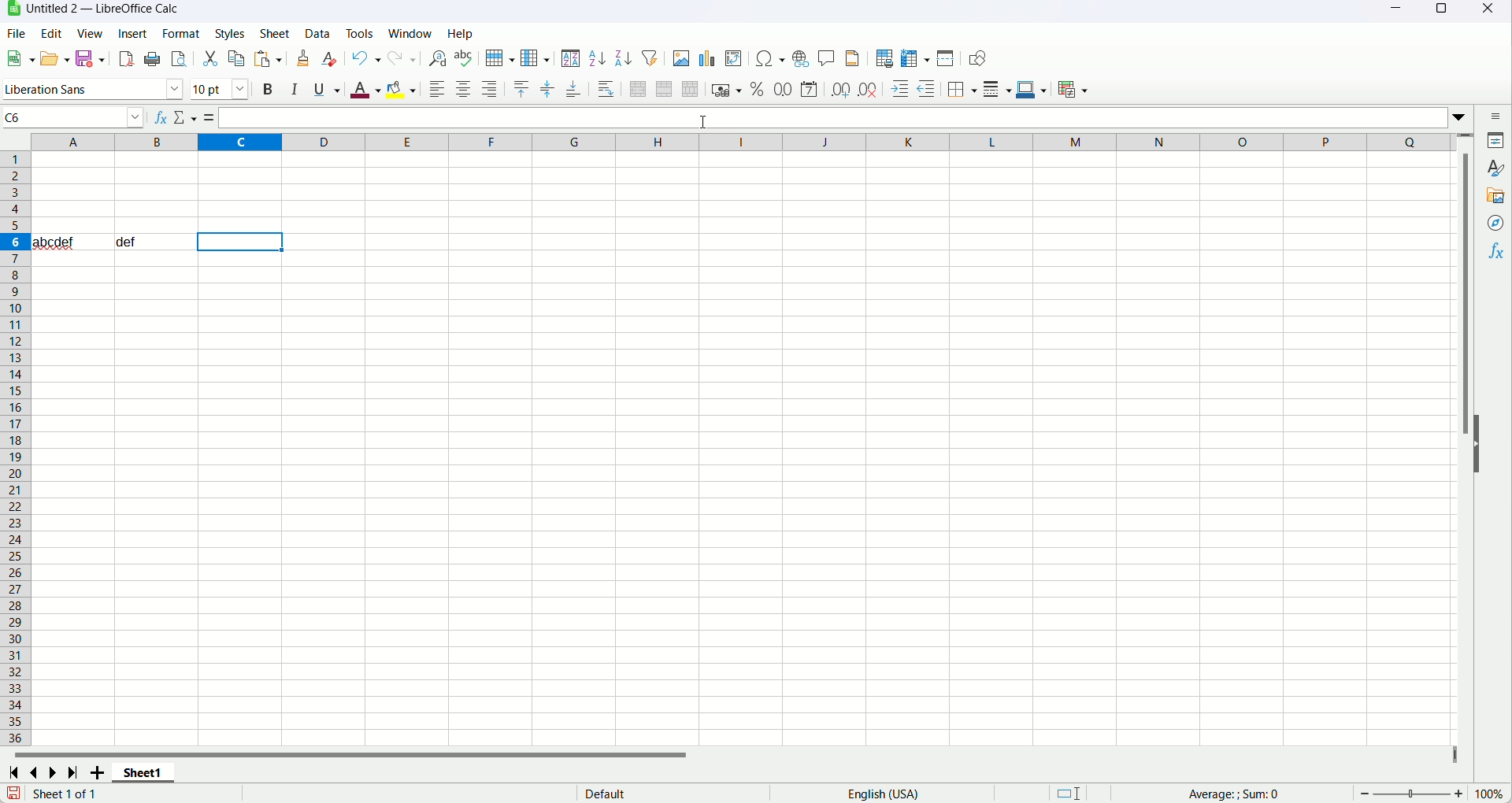 This screenshot has width=1512, height=803. Describe the element at coordinates (1235, 794) in the screenshot. I see `average:; Sum:0` at that location.